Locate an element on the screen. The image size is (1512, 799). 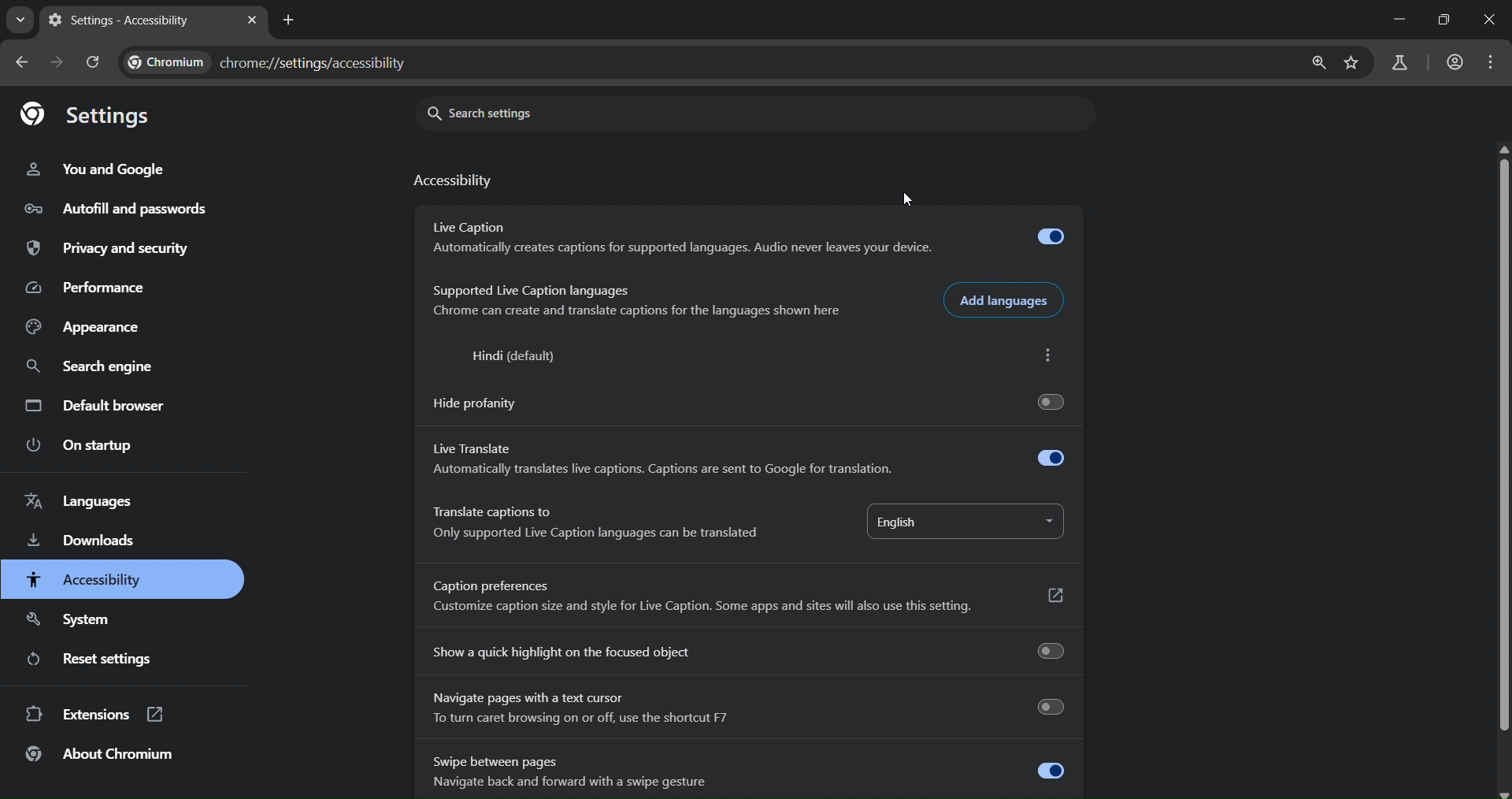
restore down is located at coordinates (1447, 19).